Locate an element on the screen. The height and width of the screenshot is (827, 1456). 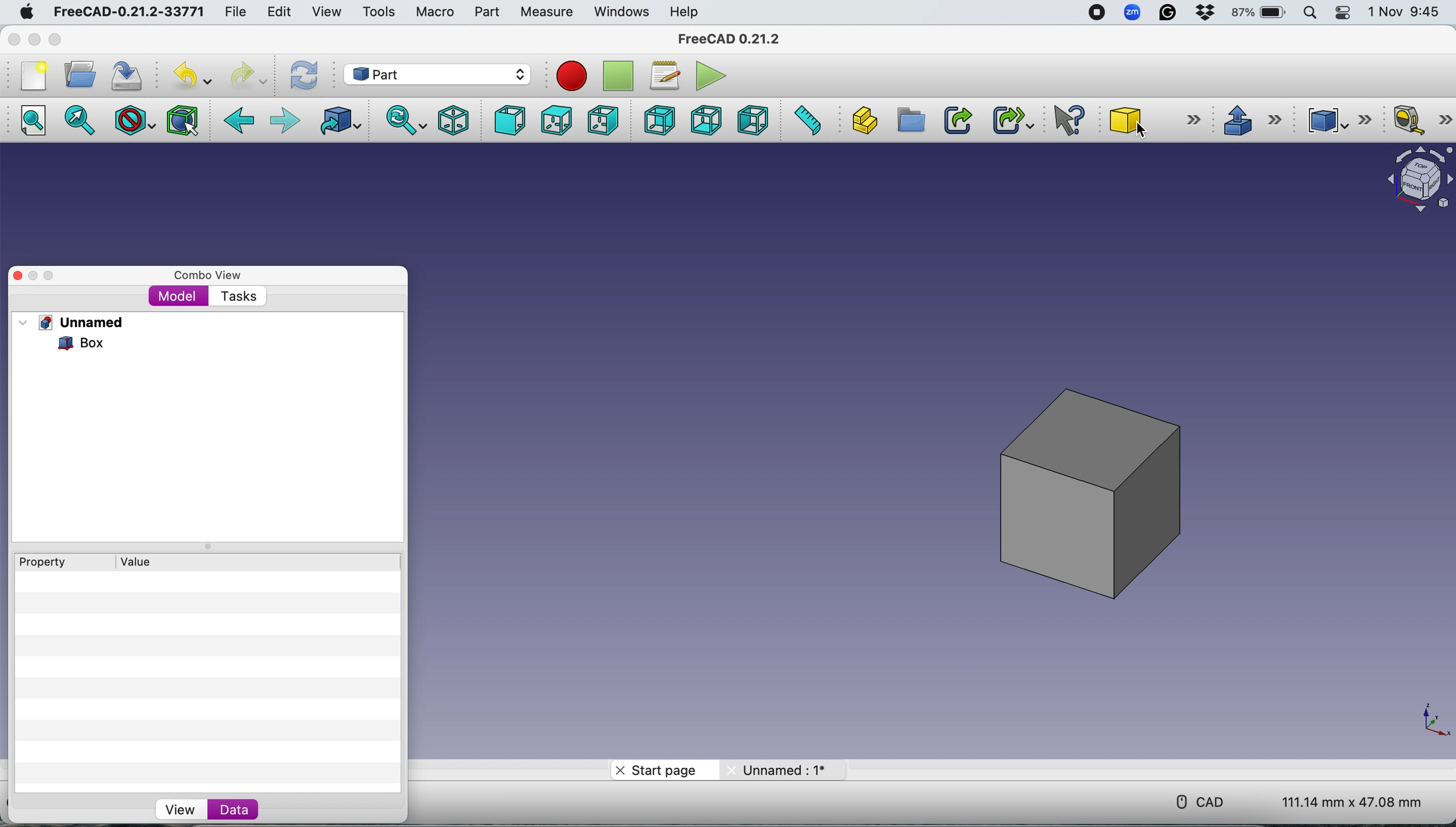
box is located at coordinates (1093, 491).